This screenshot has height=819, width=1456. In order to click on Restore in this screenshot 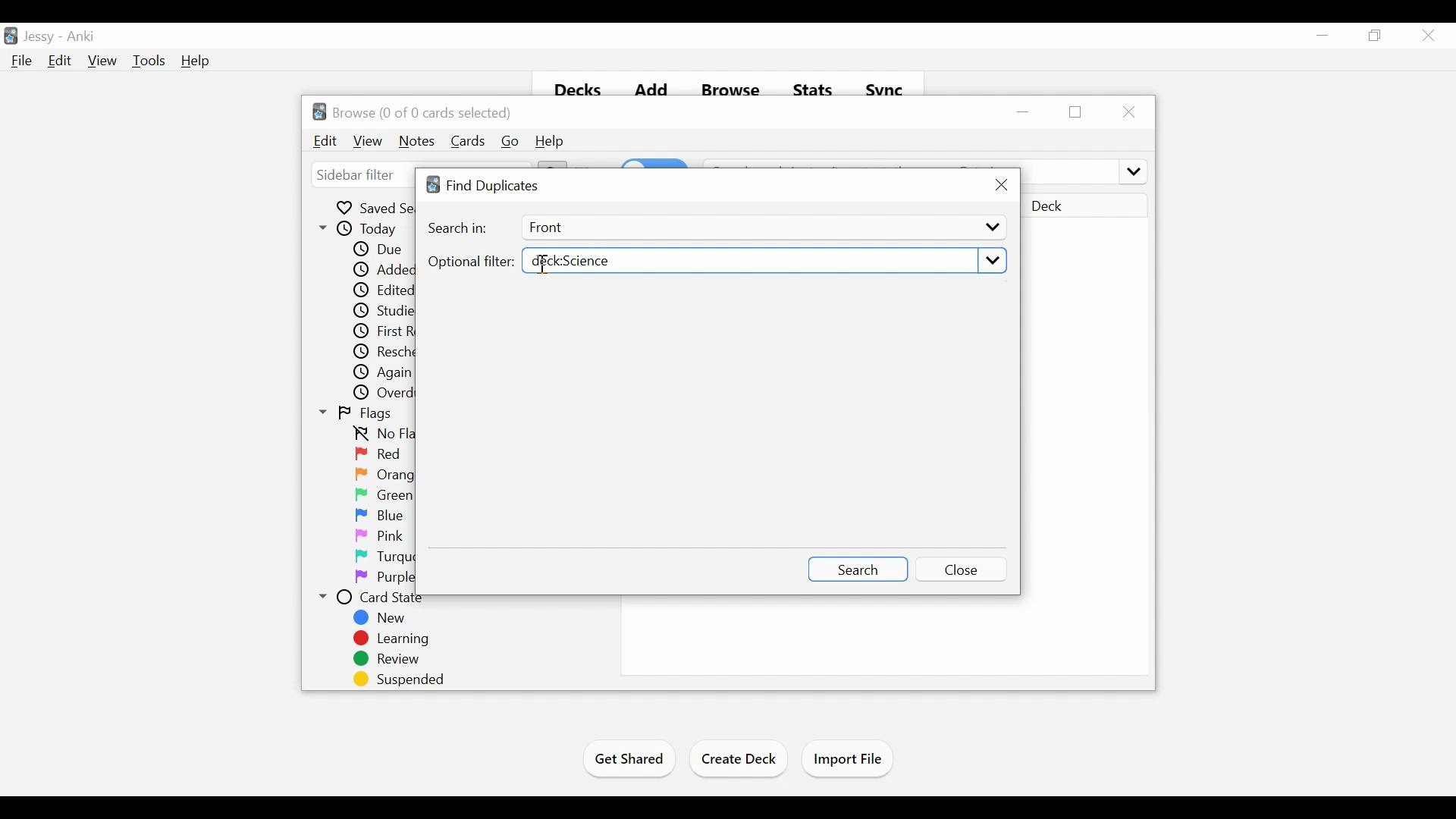, I will do `click(1375, 35)`.